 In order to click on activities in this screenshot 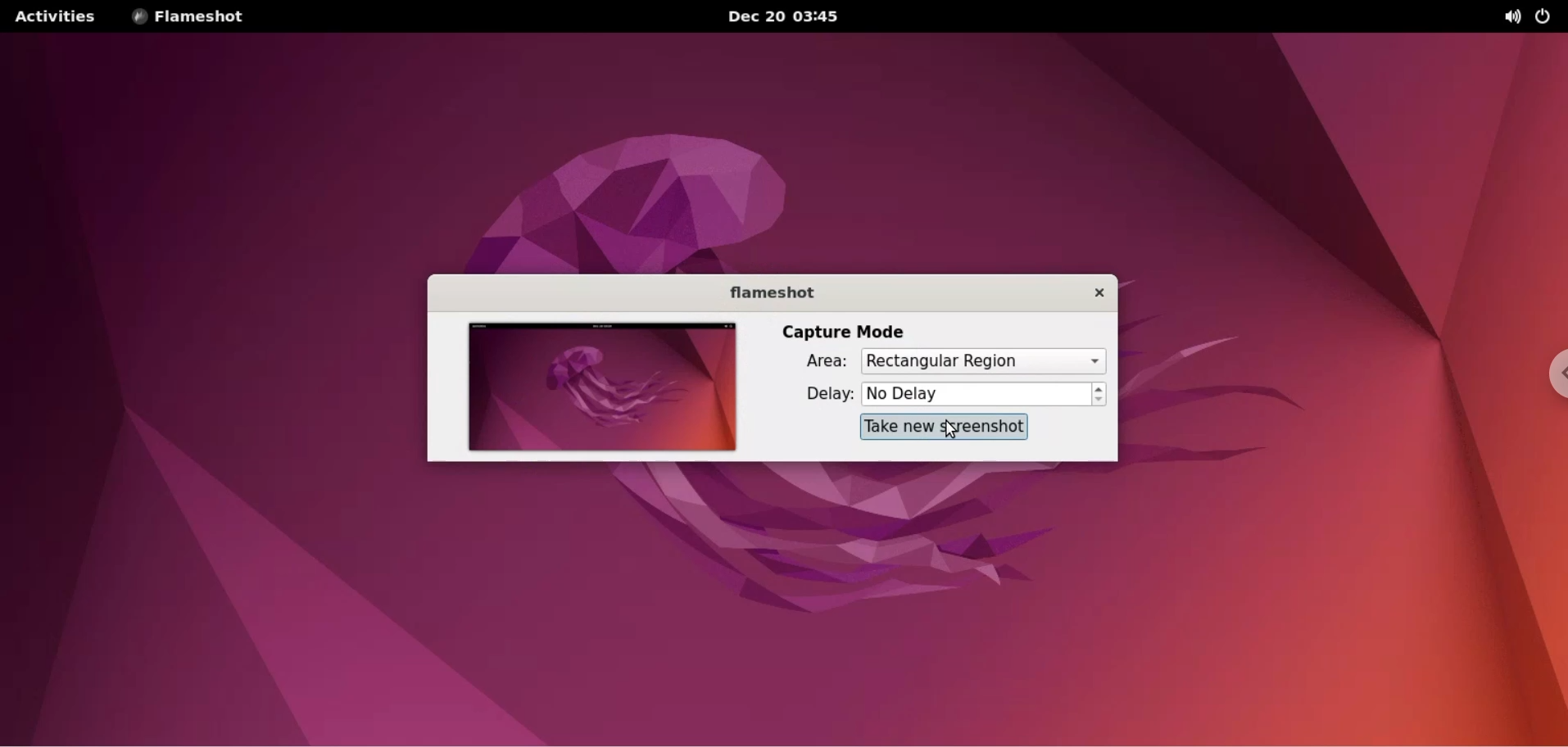, I will do `click(54, 17)`.